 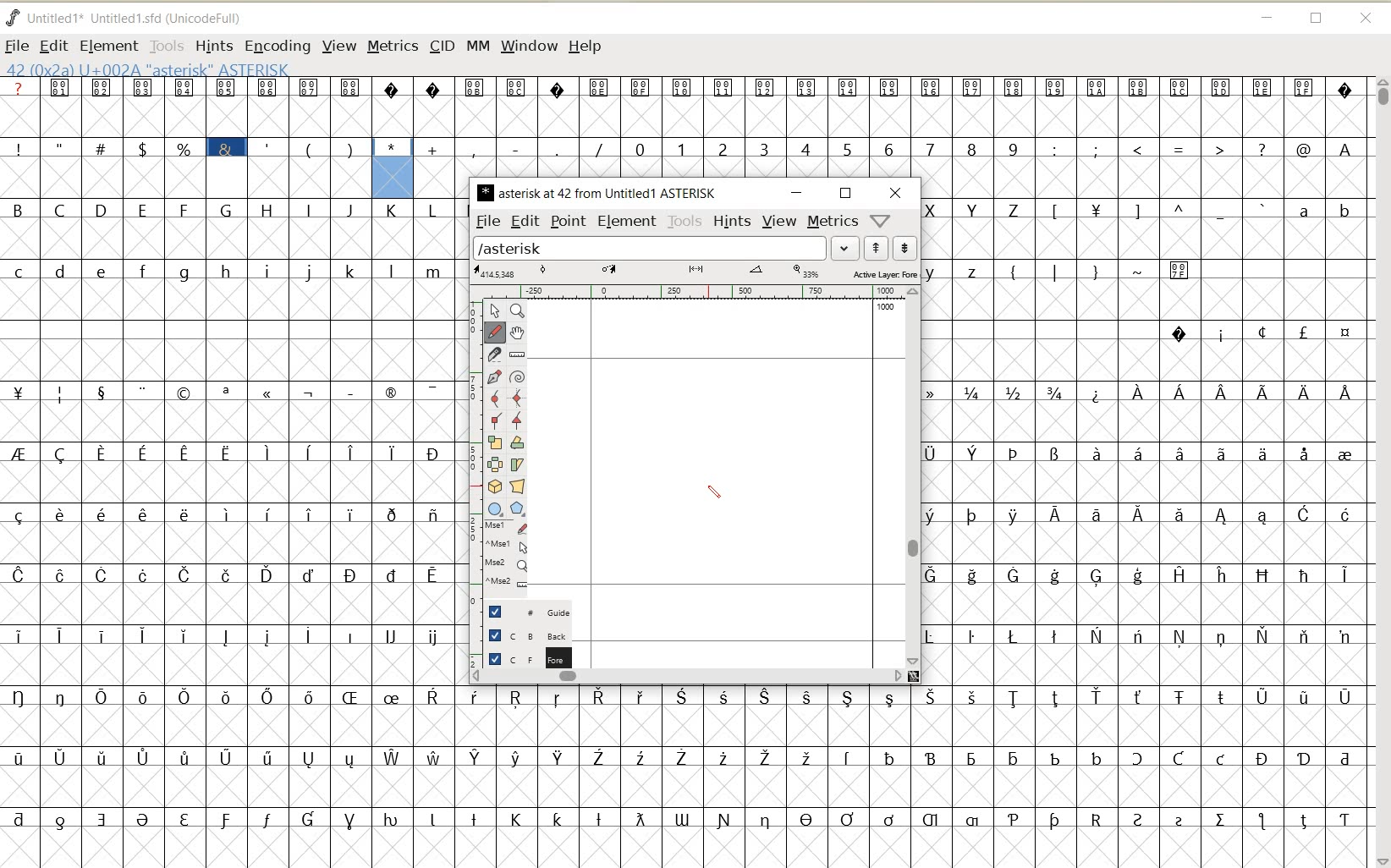 What do you see at coordinates (492, 376) in the screenshot?
I see `add a point, then drag out its control points` at bounding box center [492, 376].